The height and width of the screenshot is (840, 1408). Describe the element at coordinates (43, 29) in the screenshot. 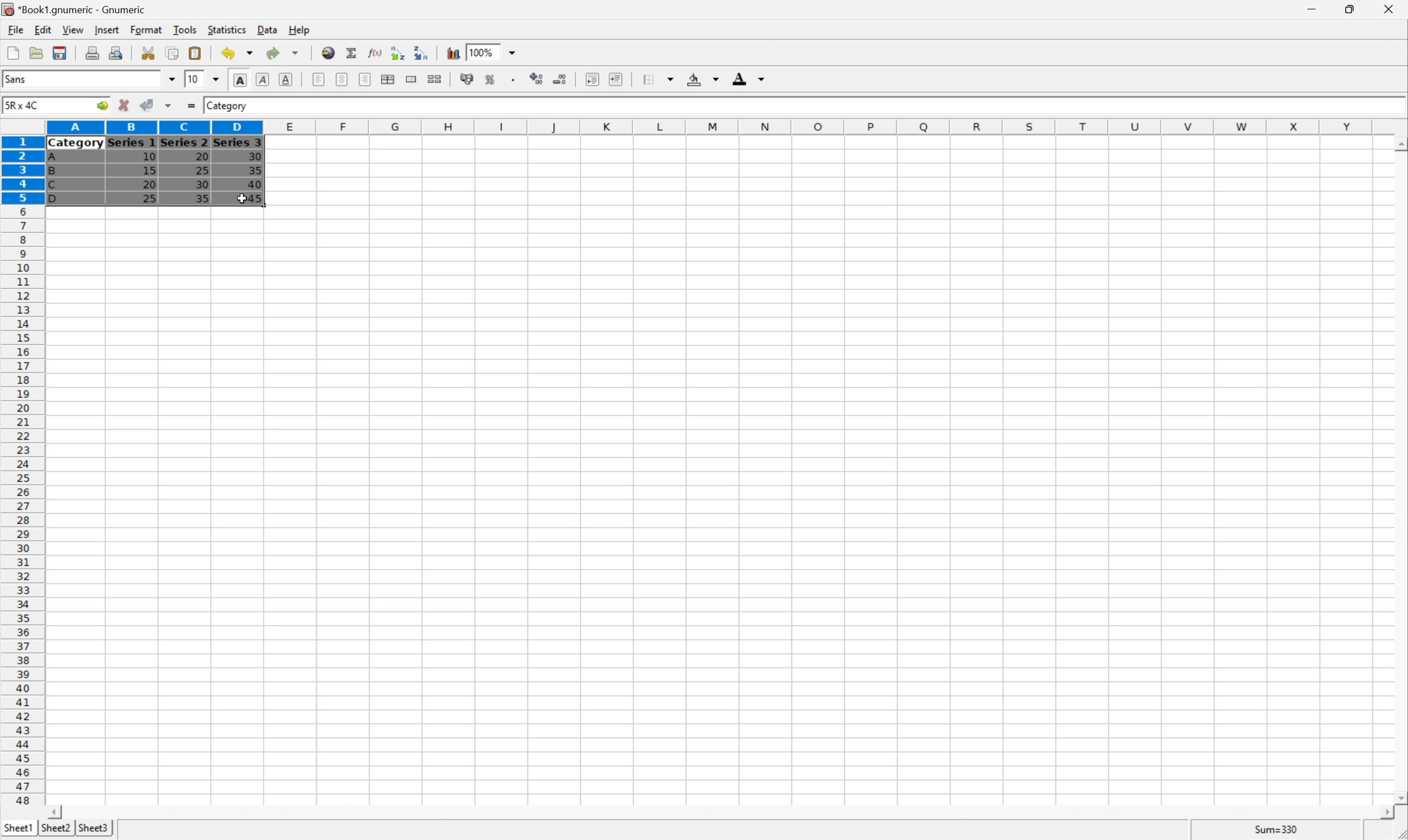

I see `Edit` at that location.